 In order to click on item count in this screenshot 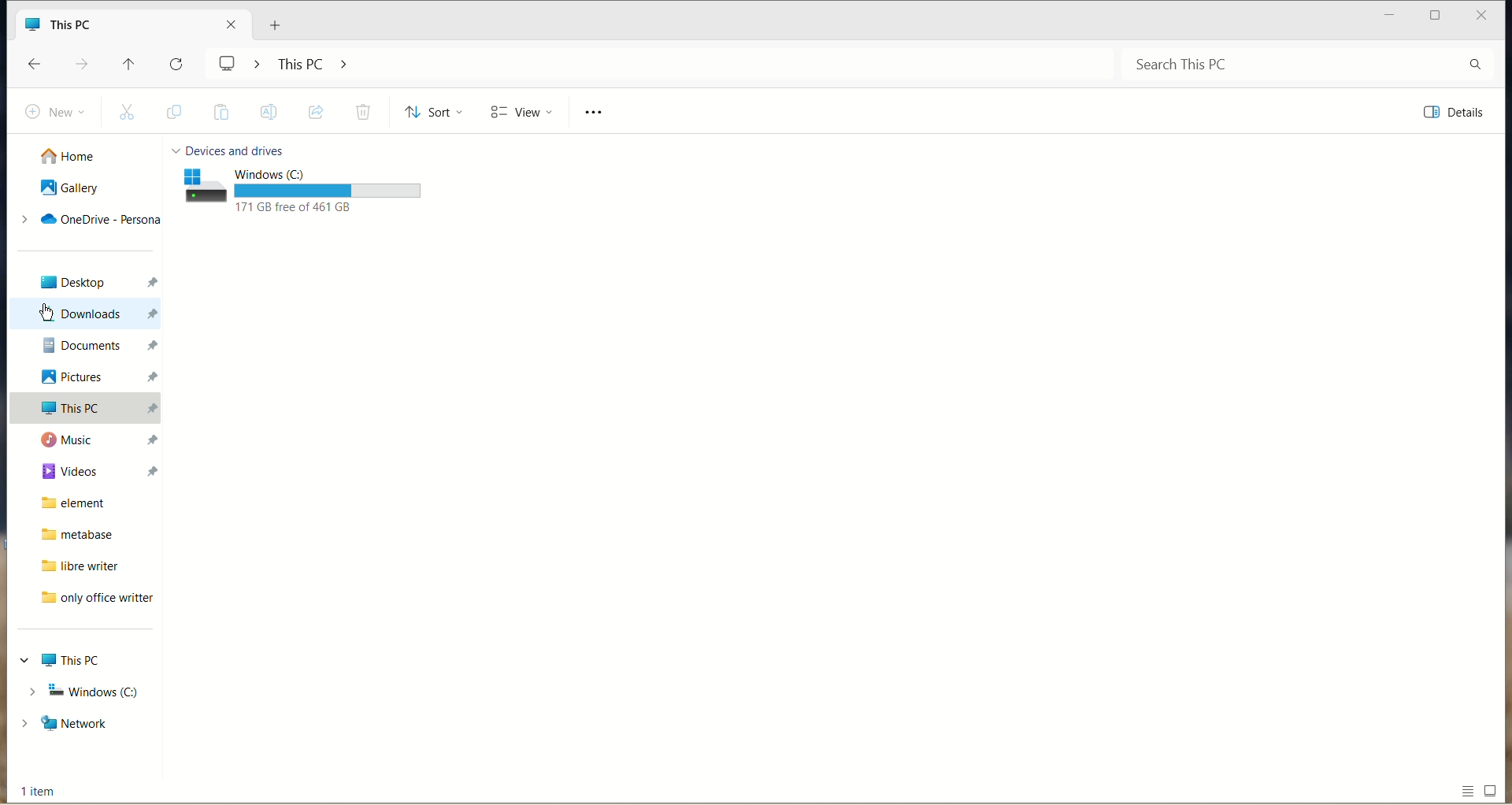, I will do `click(39, 791)`.